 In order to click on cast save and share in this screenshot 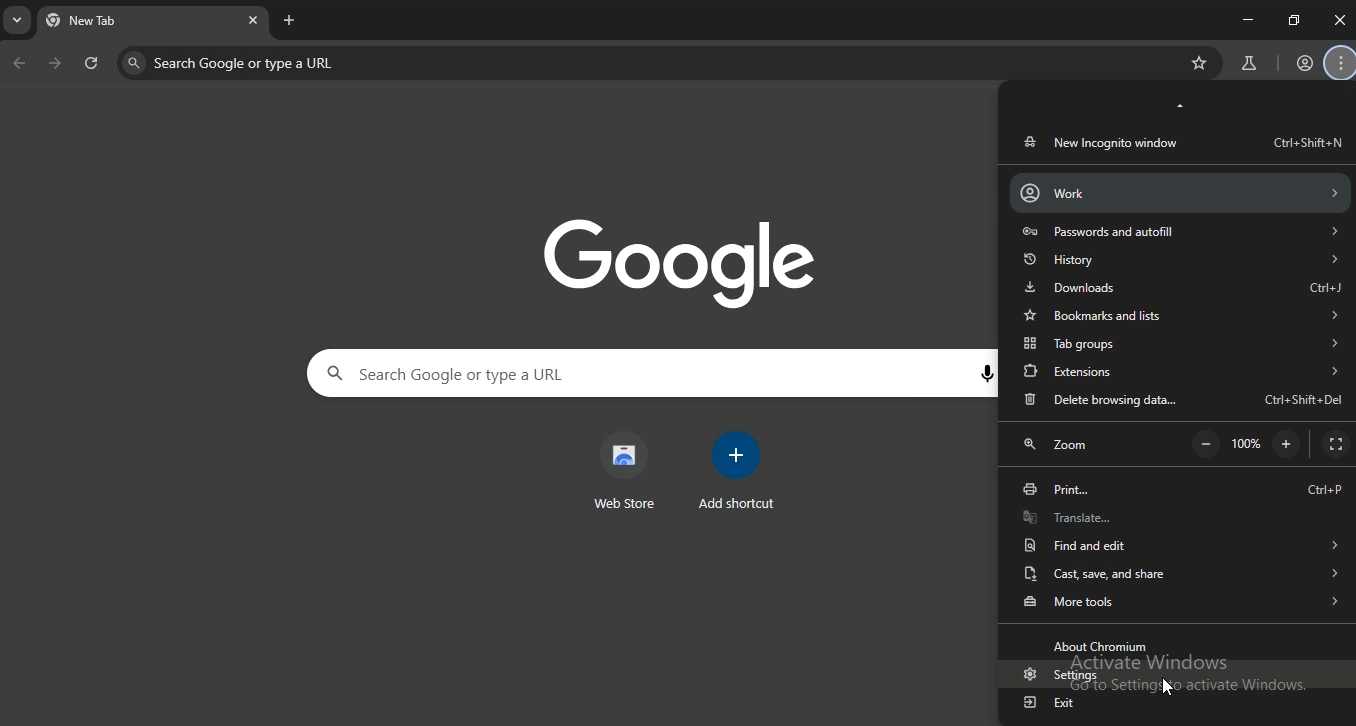, I will do `click(1176, 572)`.